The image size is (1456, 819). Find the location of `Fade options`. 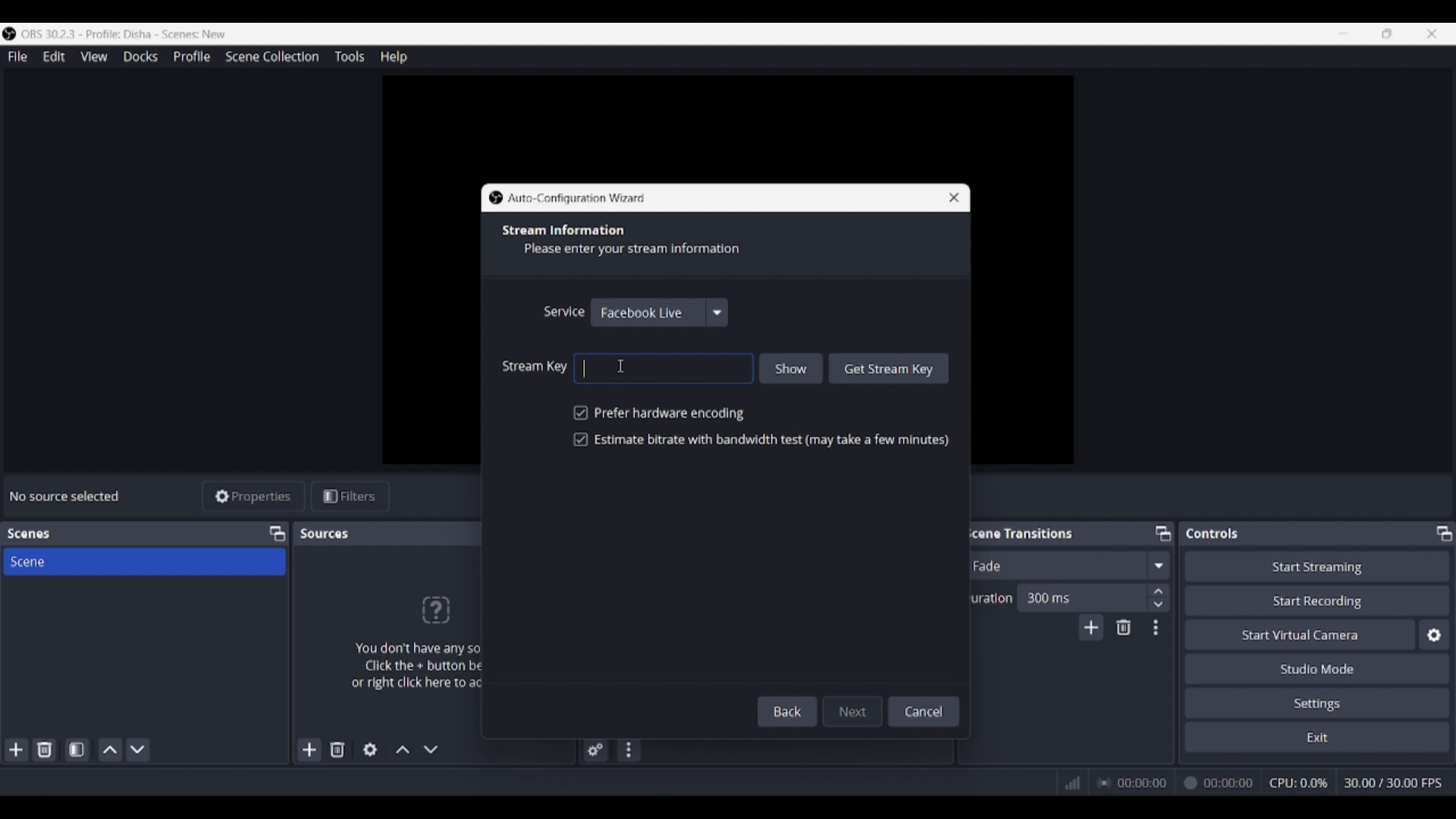

Fade options is located at coordinates (1158, 565).